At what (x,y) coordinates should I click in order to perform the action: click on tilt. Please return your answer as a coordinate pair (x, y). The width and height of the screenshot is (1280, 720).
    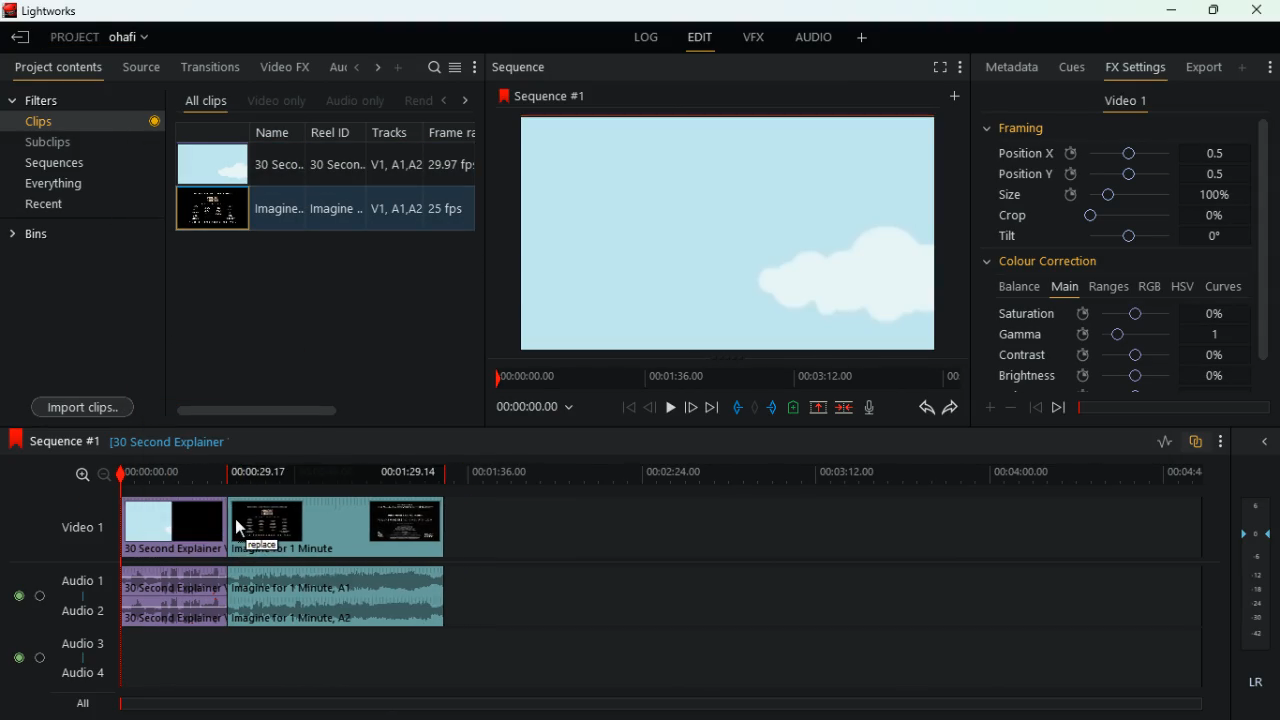
    Looking at the image, I should click on (1113, 238).